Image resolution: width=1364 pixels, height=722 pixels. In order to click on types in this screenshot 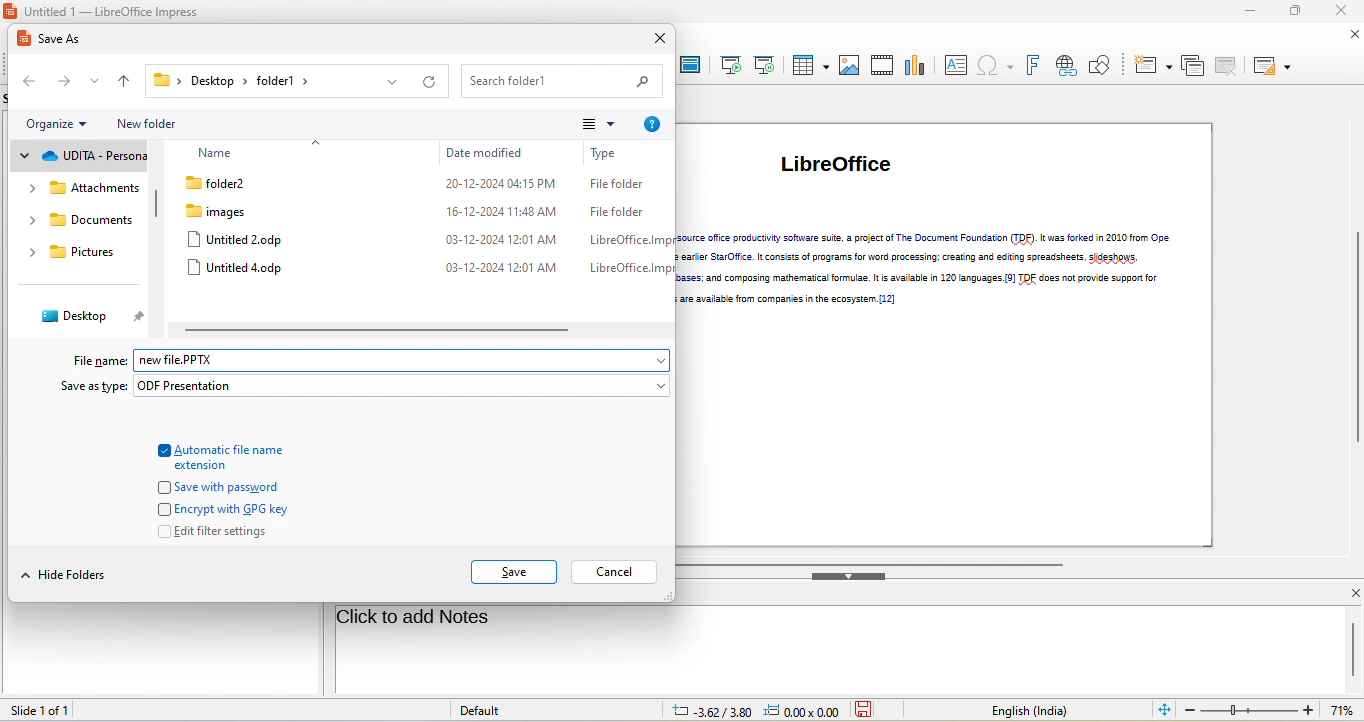, I will do `click(620, 153)`.